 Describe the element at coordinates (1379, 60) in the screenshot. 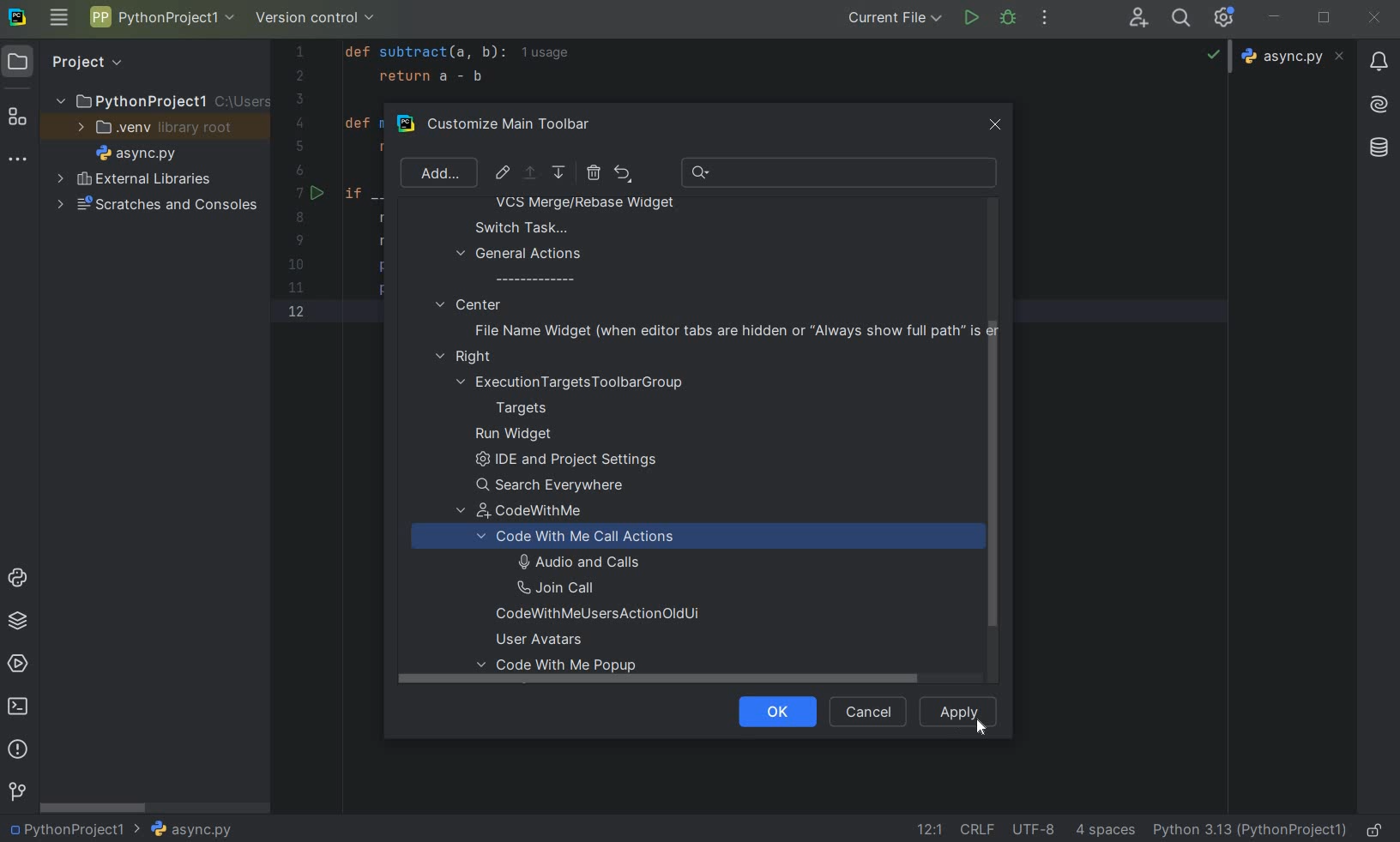

I see `updates` at that location.